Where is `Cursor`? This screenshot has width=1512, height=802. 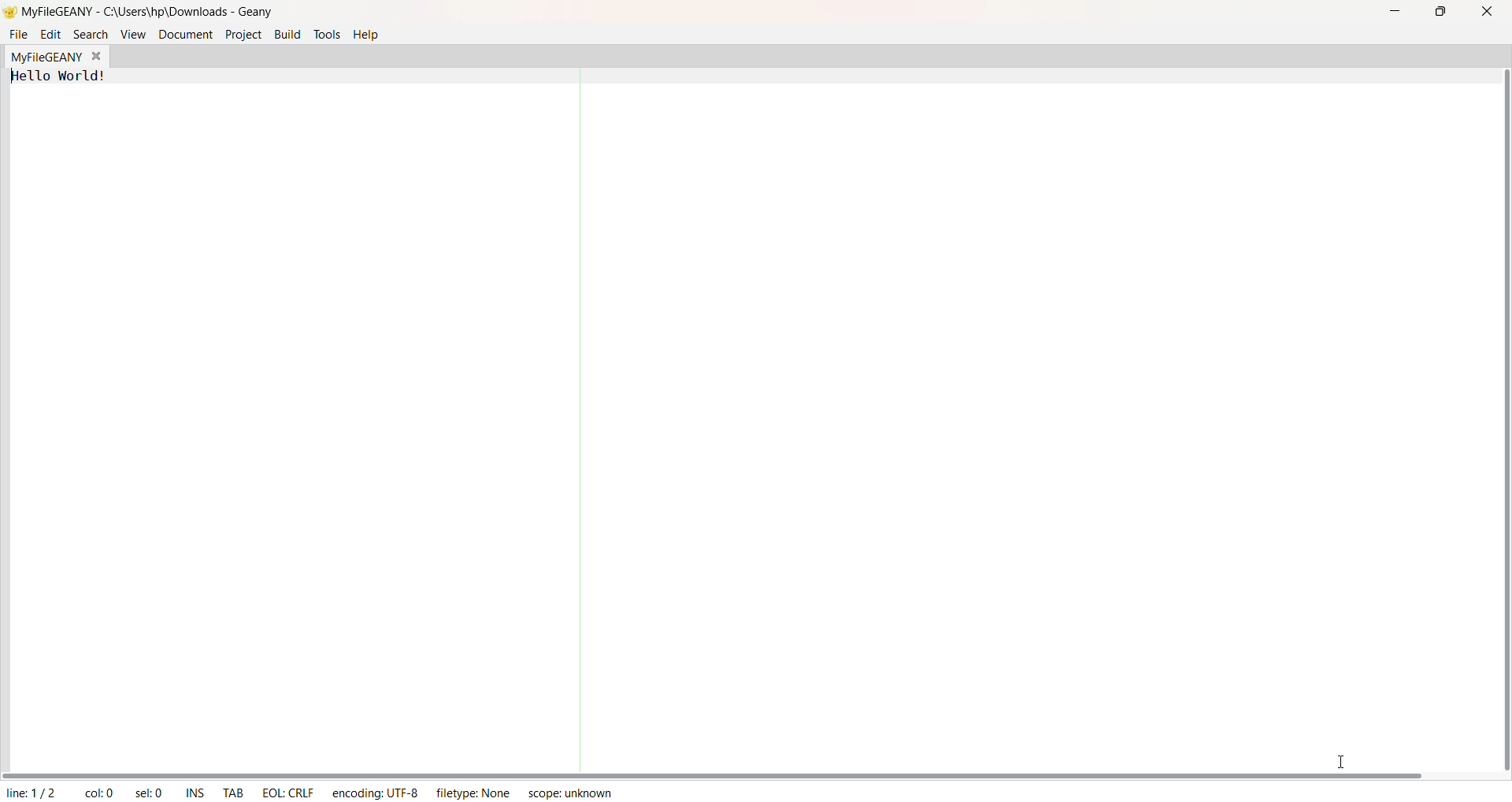
Cursor is located at coordinates (1336, 756).